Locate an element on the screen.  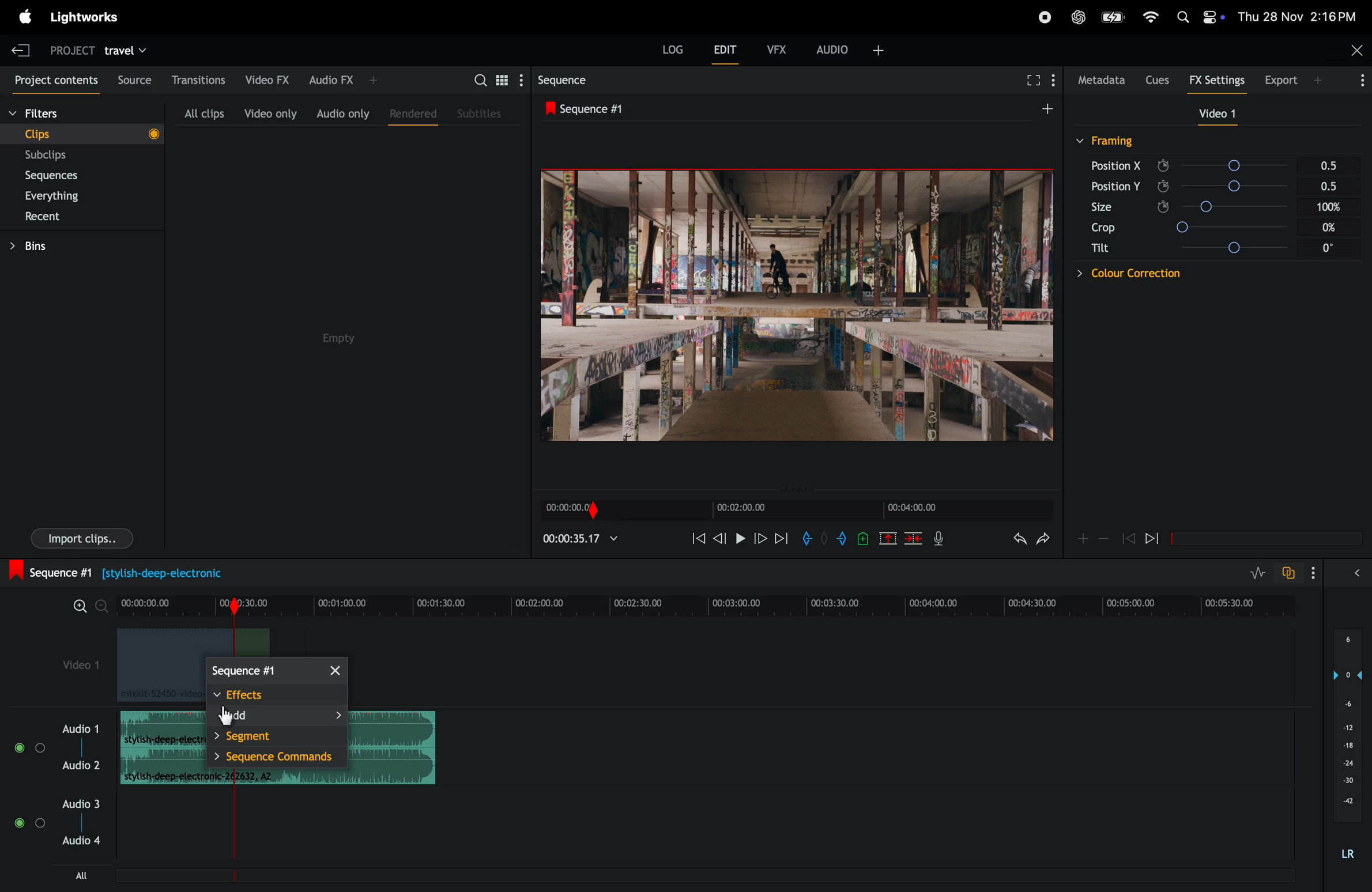
add key frame is located at coordinates (1083, 538).